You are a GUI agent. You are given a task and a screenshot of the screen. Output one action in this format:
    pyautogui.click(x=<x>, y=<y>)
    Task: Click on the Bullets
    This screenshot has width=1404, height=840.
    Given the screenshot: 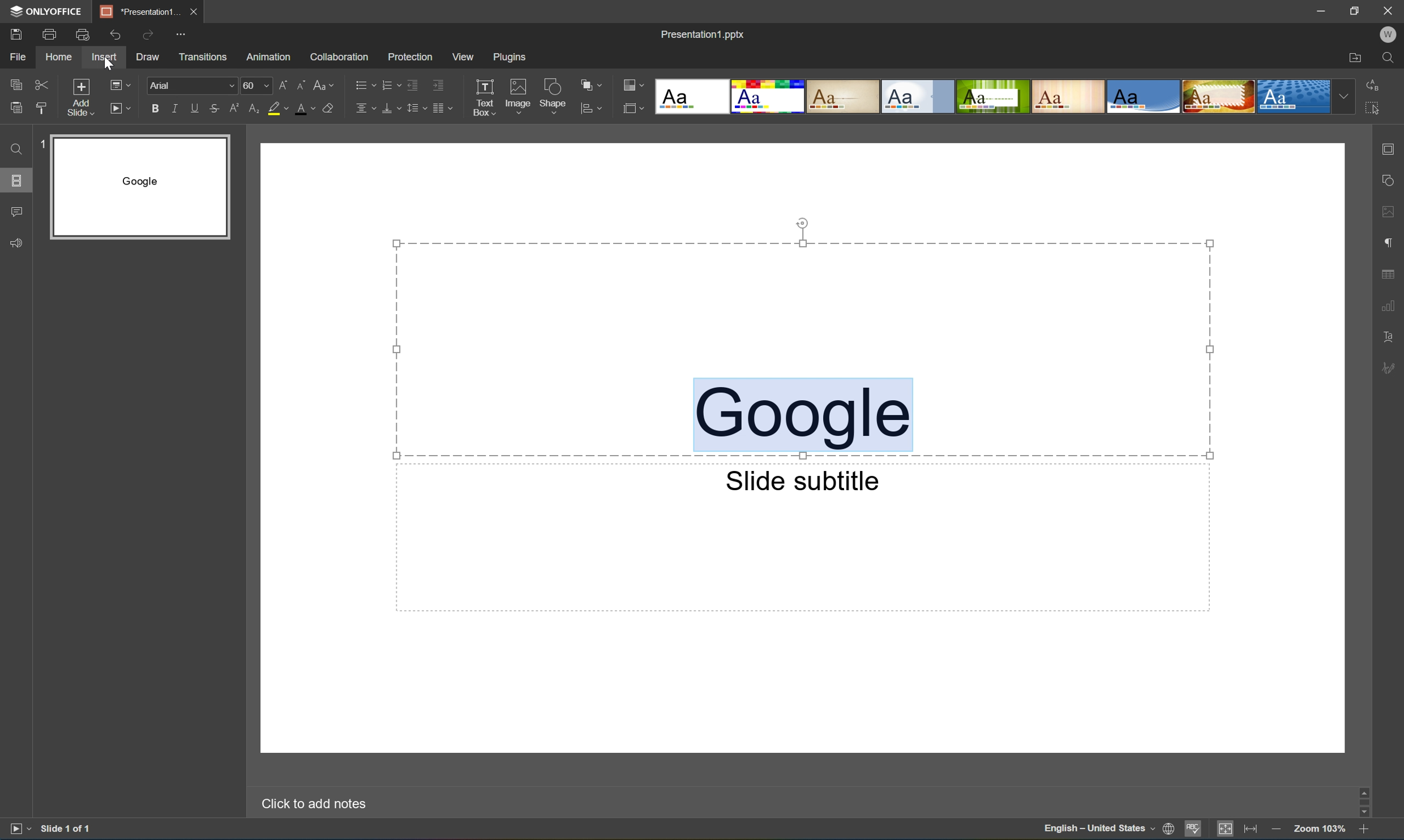 What is the action you would take?
    pyautogui.click(x=363, y=85)
    